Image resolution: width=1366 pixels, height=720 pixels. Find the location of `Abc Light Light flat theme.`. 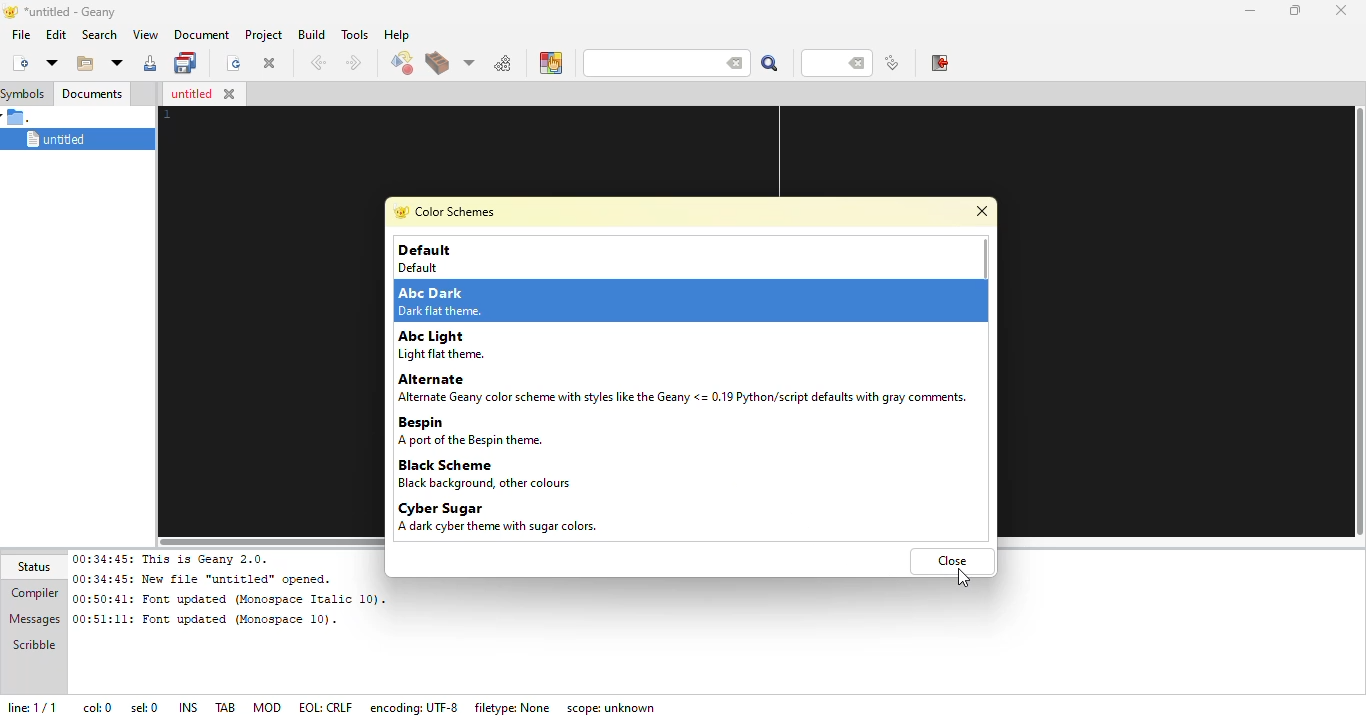

Abc Light Light flat theme. is located at coordinates (474, 346).